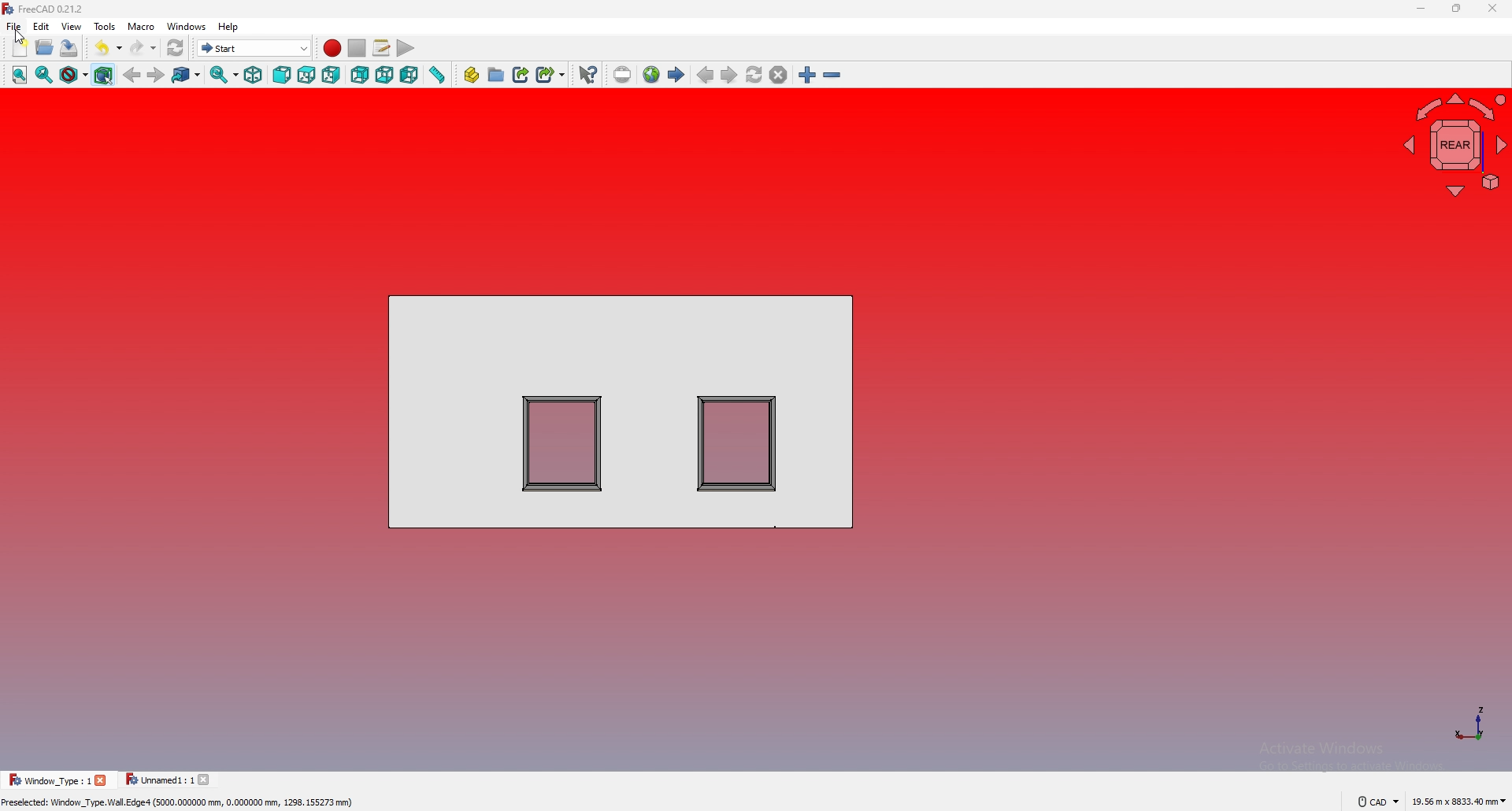 Image resolution: width=1512 pixels, height=811 pixels. I want to click on set url, so click(623, 75).